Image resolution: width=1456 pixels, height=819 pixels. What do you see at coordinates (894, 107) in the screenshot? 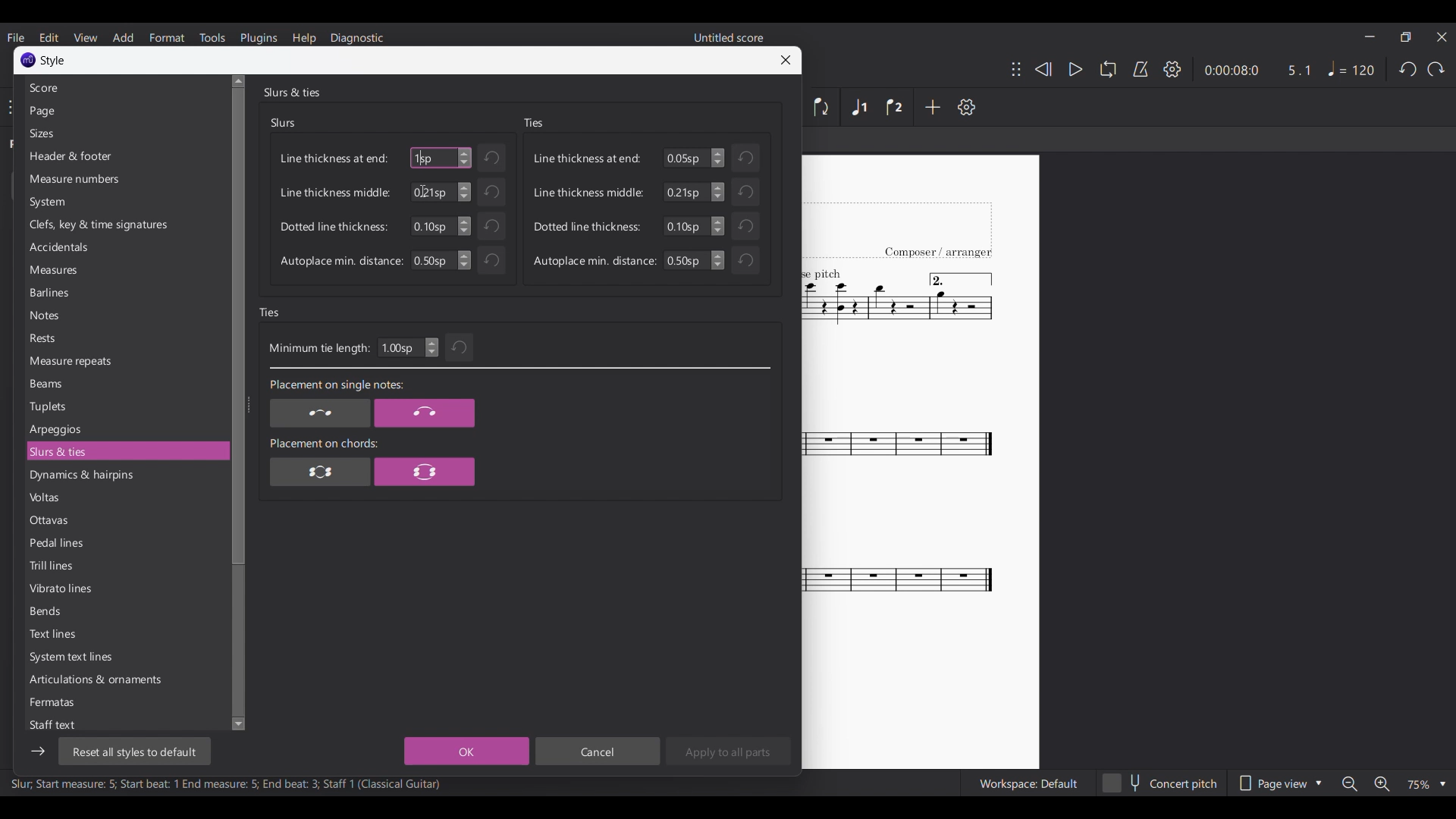
I see `Voice 2` at bounding box center [894, 107].